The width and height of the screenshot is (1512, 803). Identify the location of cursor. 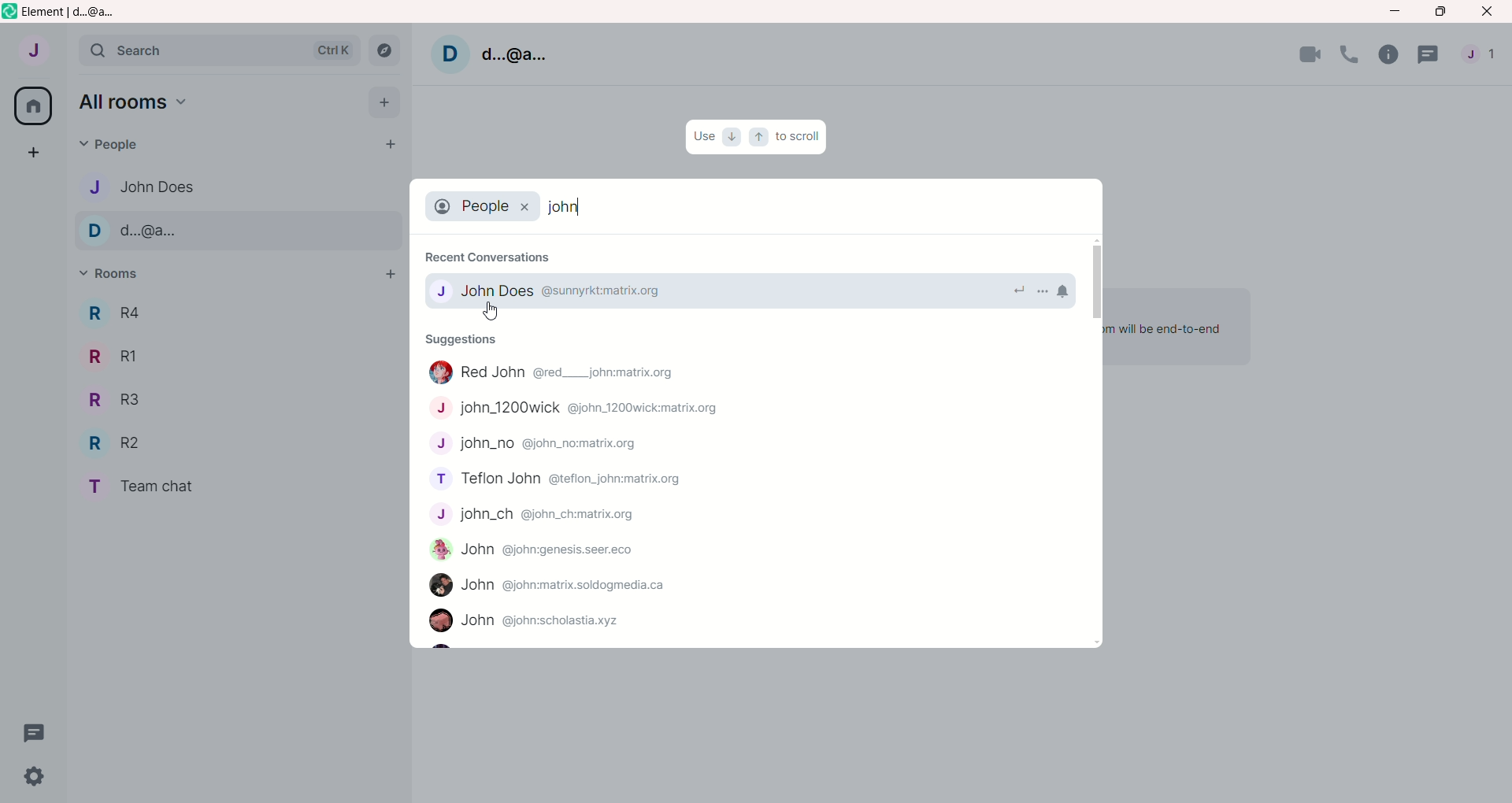
(492, 312).